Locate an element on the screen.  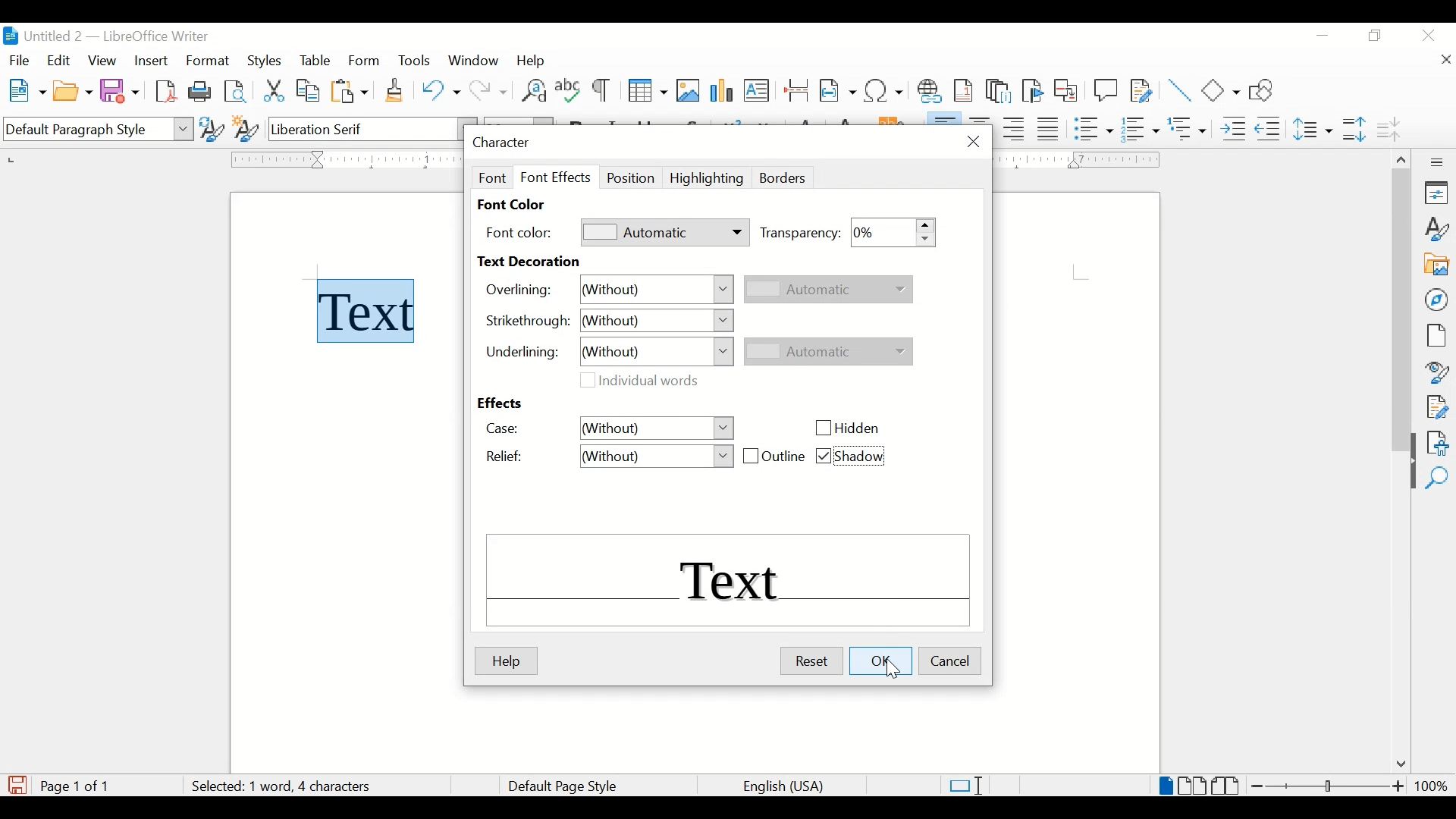
strrikethrough is located at coordinates (528, 322).